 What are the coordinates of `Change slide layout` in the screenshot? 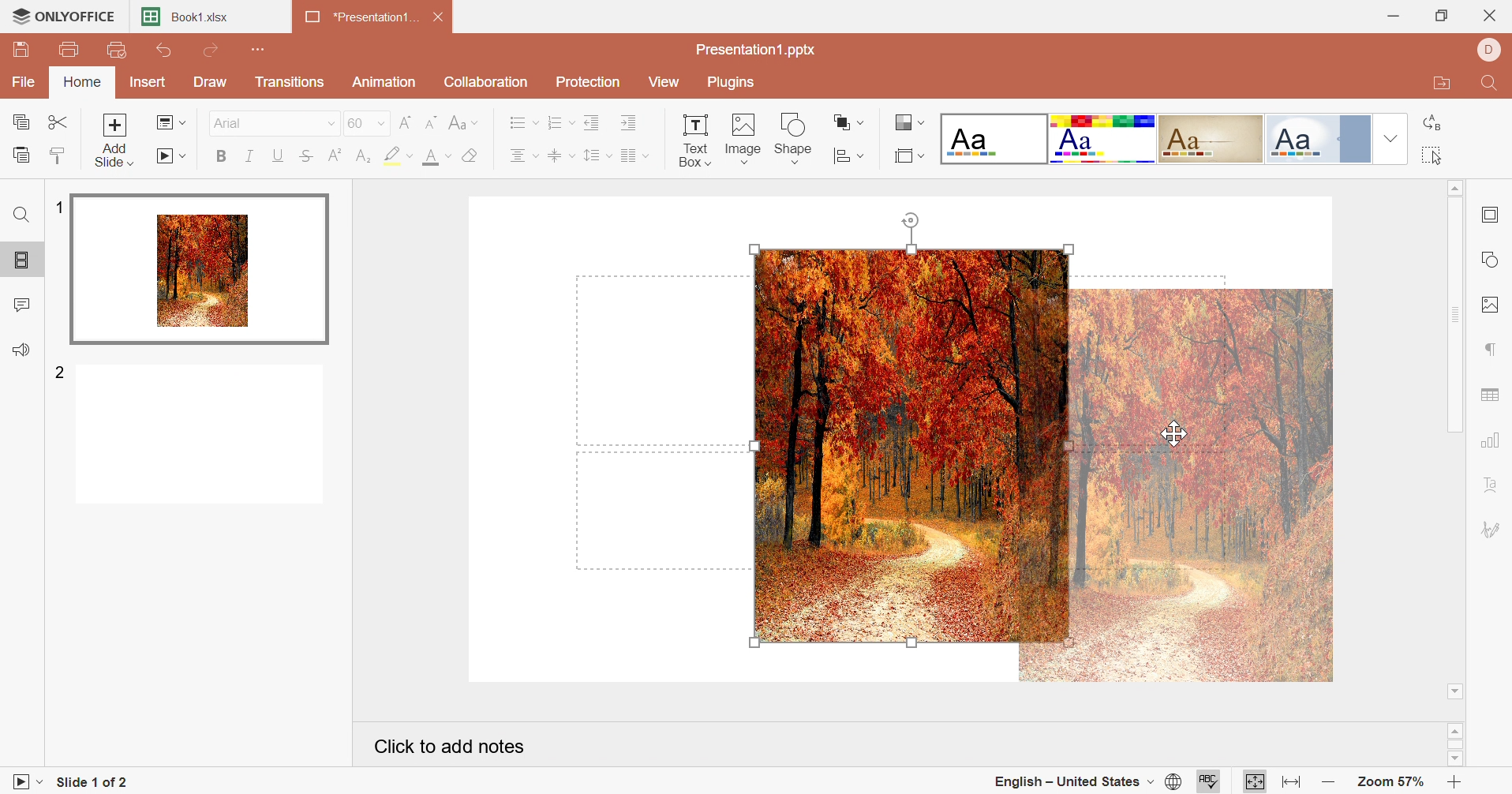 It's located at (173, 124).